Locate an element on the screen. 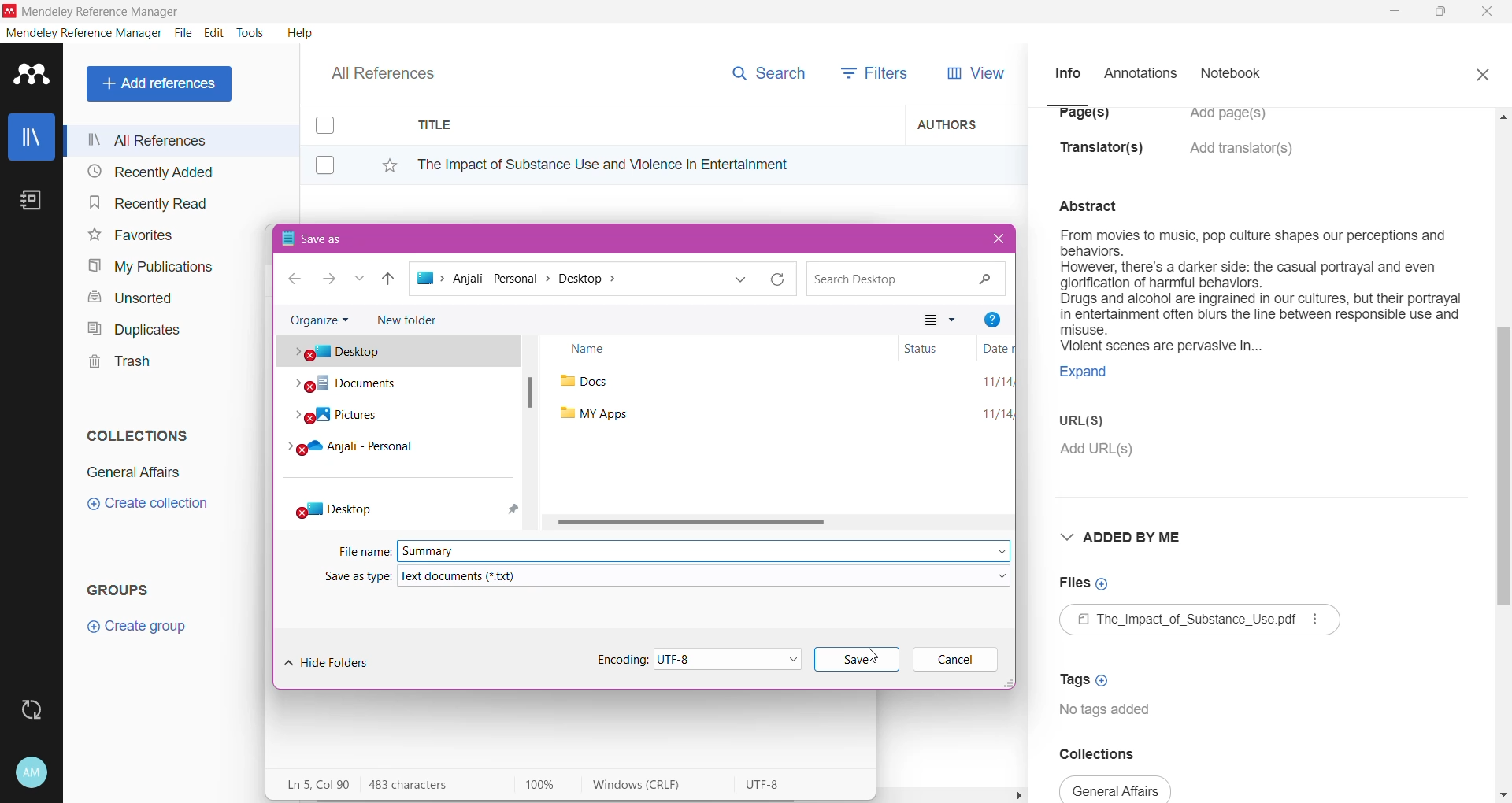  Added By Me is located at coordinates (1125, 537).